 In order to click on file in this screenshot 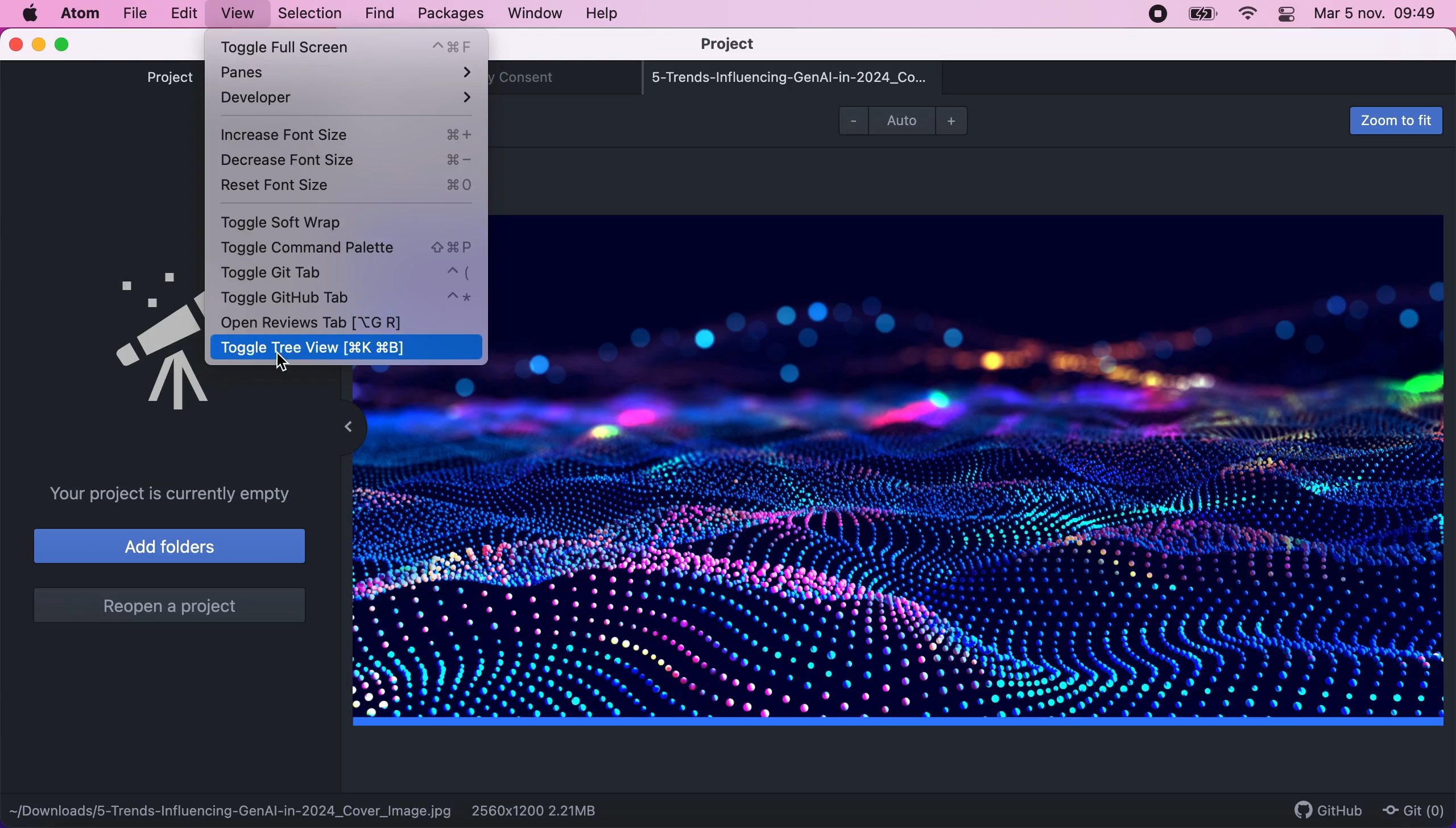, I will do `click(133, 14)`.